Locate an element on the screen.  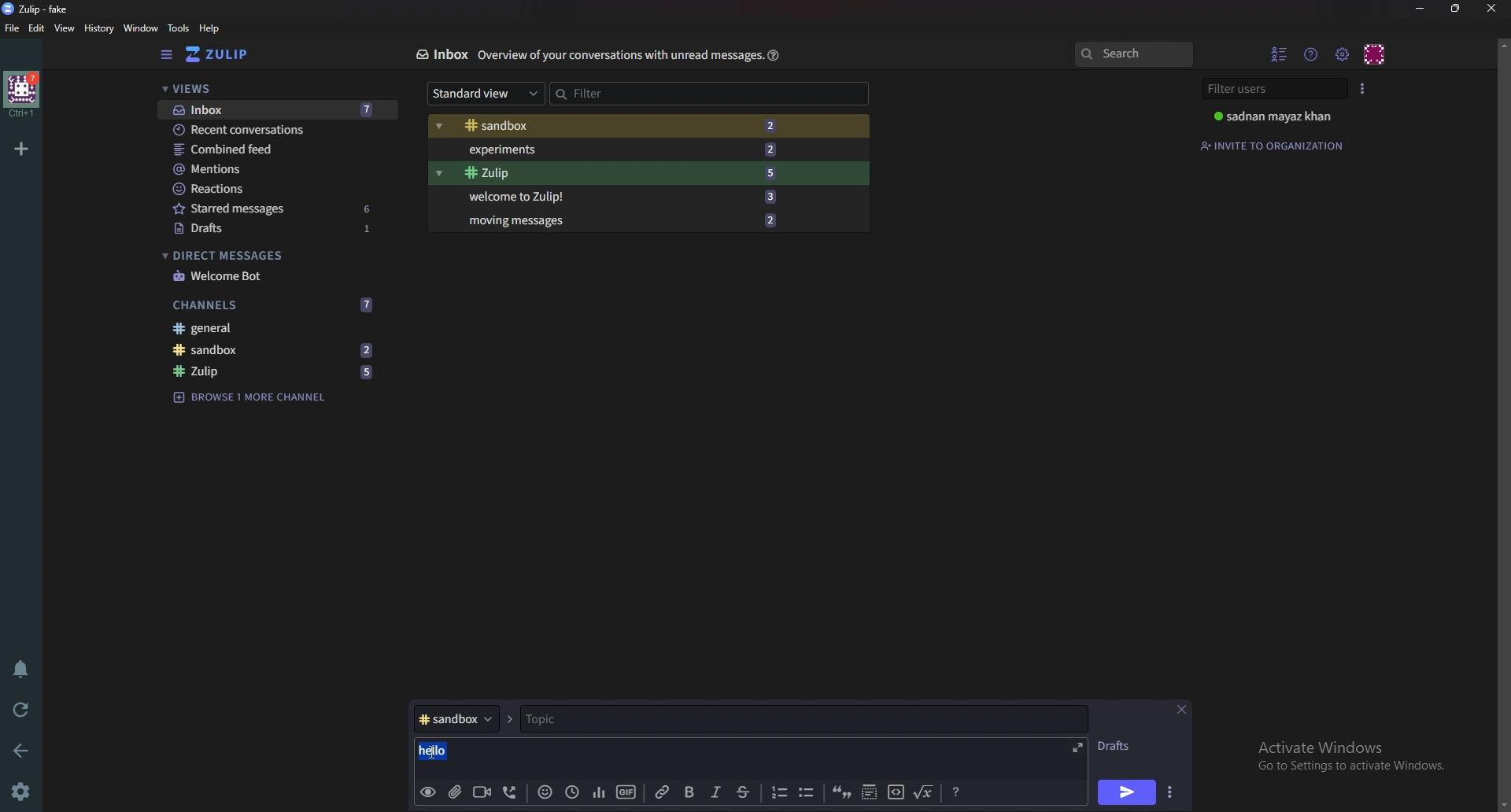
Recent conversations is located at coordinates (271, 128).